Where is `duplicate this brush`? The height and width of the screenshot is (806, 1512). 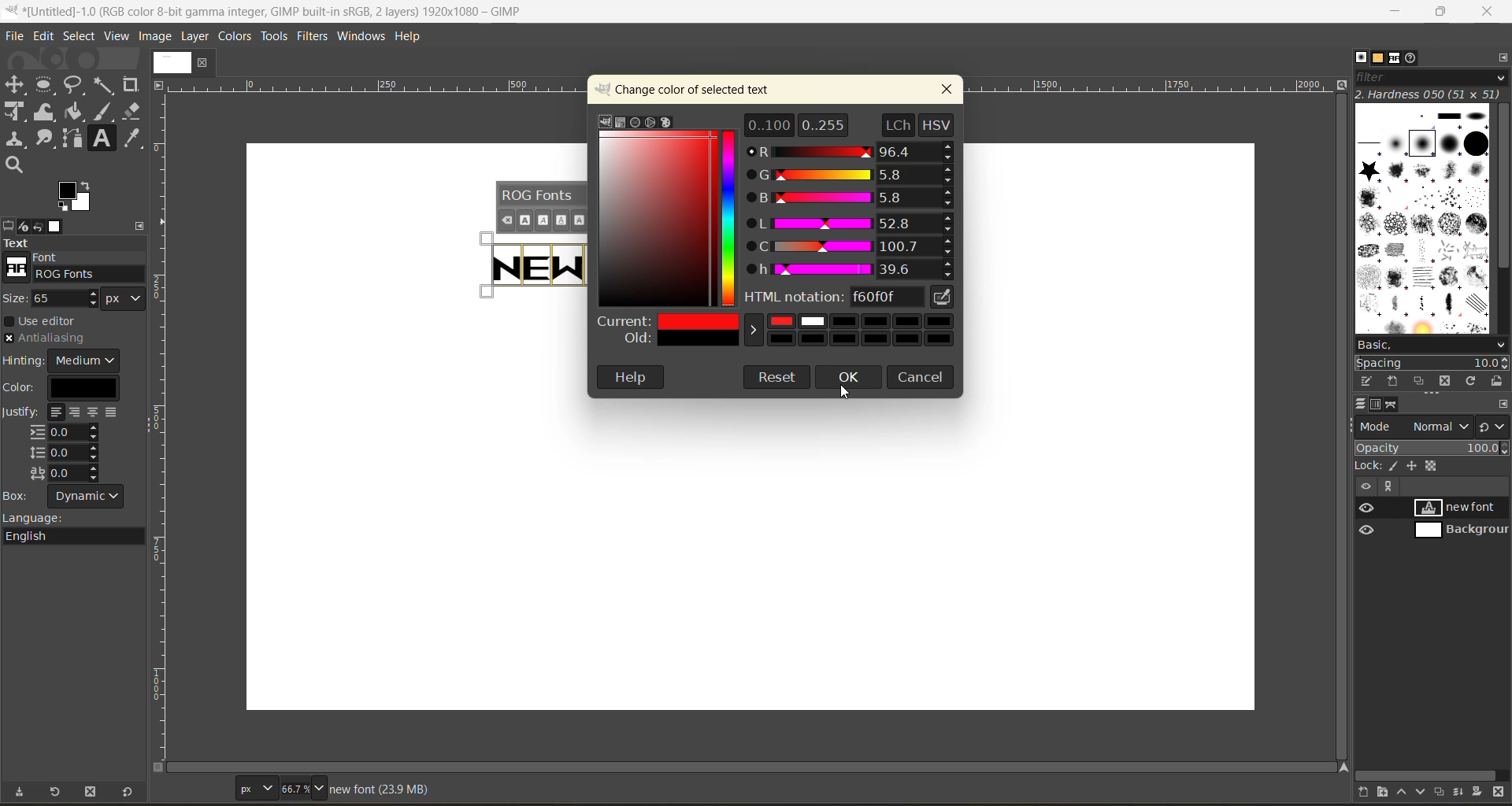
duplicate this brush is located at coordinates (1422, 381).